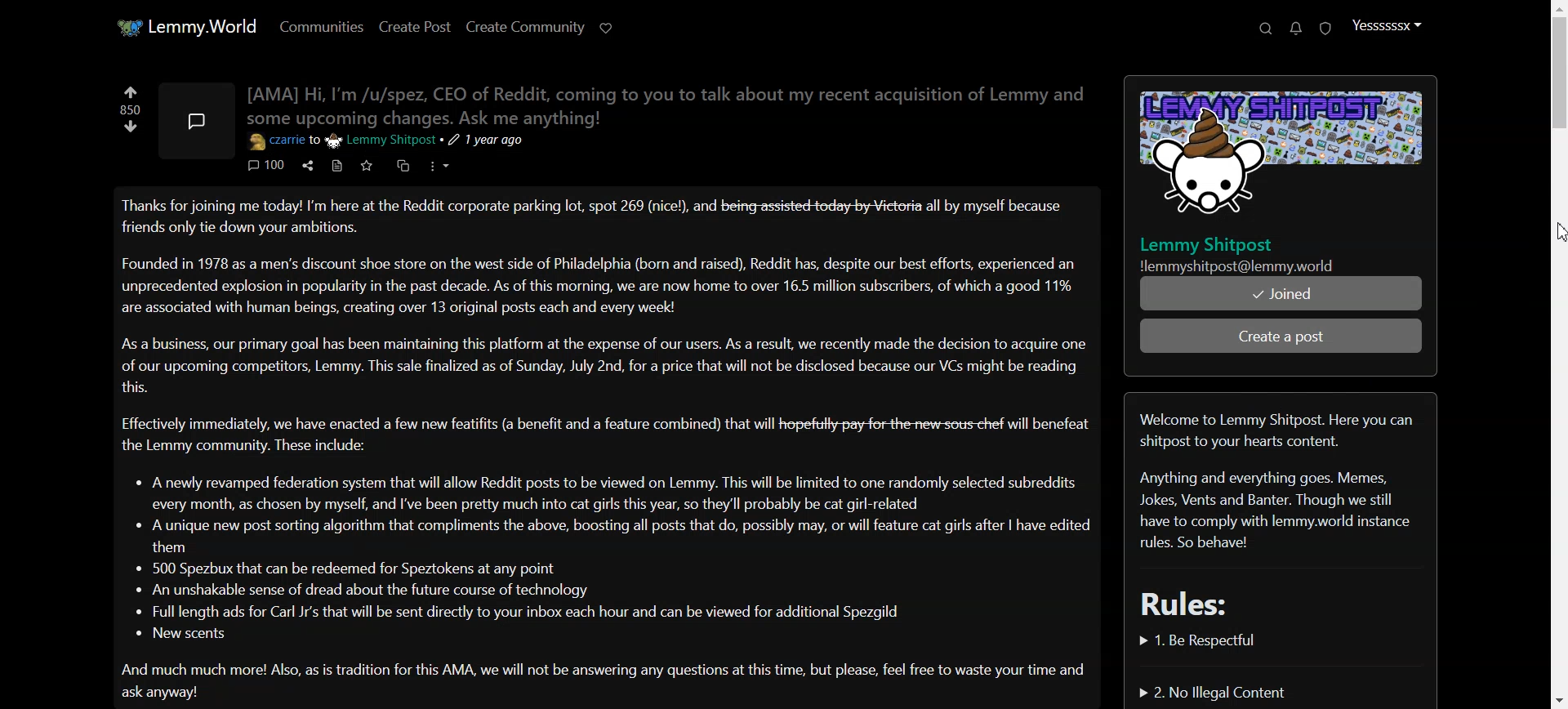 The width and height of the screenshot is (1568, 709). I want to click on Home Page, so click(187, 27).